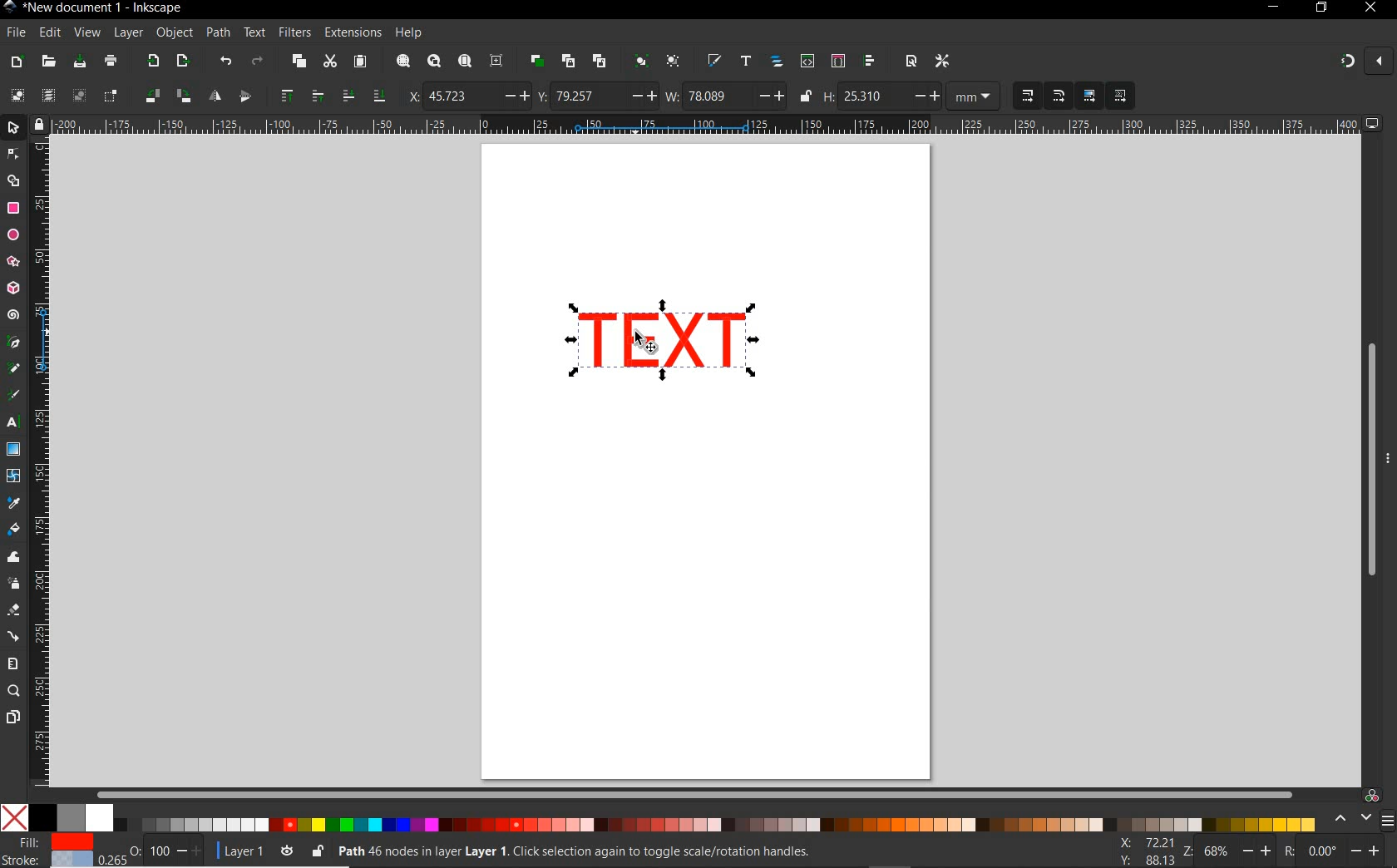 The height and width of the screenshot is (868, 1397). Describe the element at coordinates (1365, 458) in the screenshot. I see `SCROLLBAR` at that location.